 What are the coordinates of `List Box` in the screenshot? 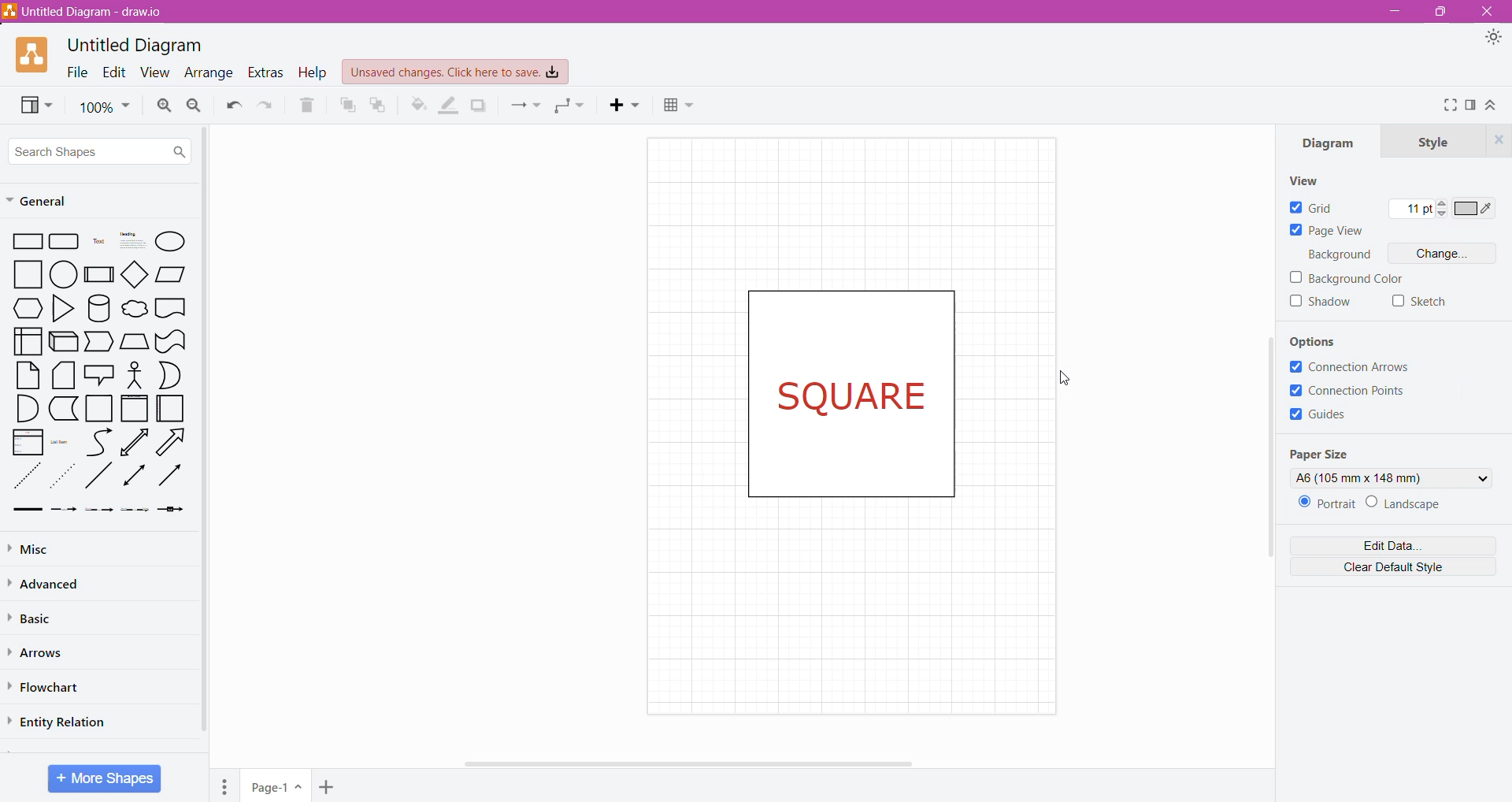 It's located at (26, 442).